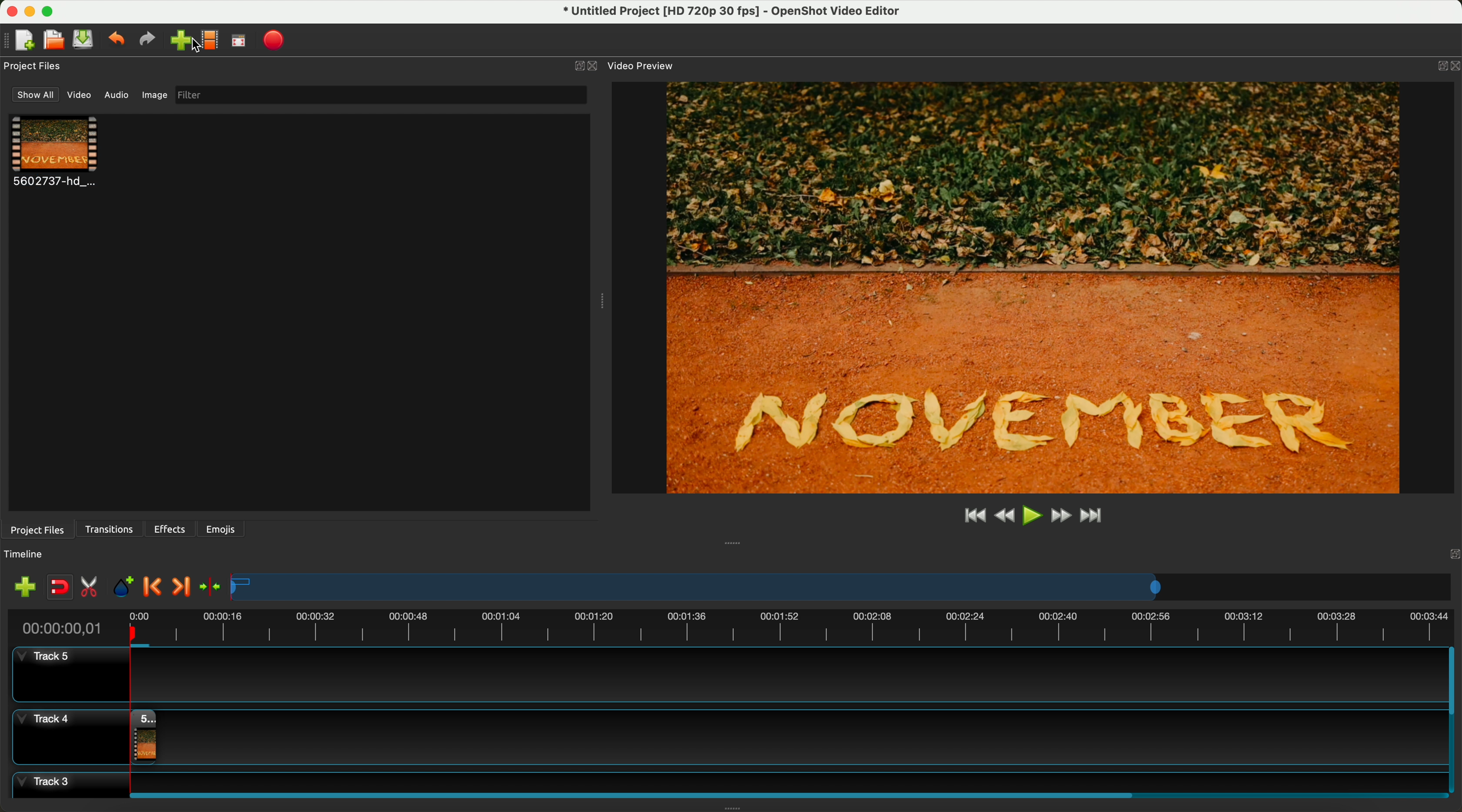 The image size is (1462, 812). What do you see at coordinates (180, 587) in the screenshot?
I see `next marker` at bounding box center [180, 587].